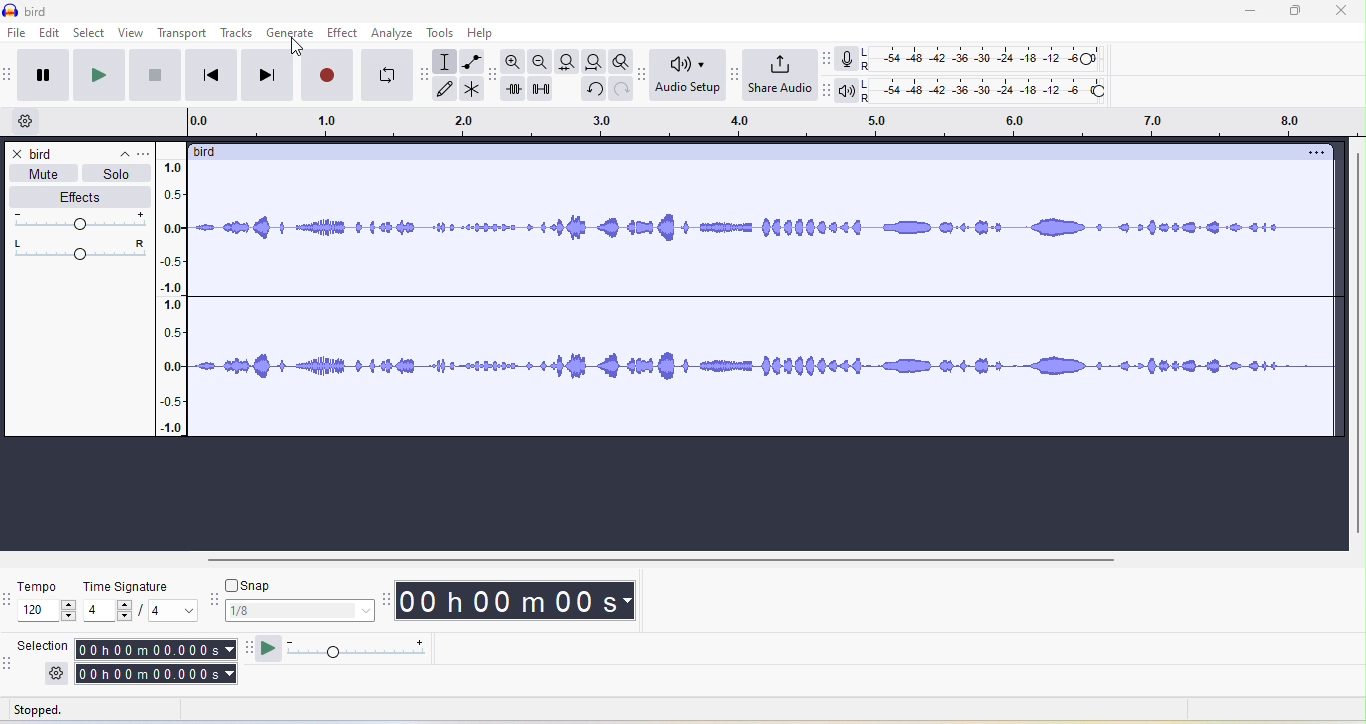 The image size is (1366, 724). What do you see at coordinates (1250, 13) in the screenshot?
I see `minimize` at bounding box center [1250, 13].